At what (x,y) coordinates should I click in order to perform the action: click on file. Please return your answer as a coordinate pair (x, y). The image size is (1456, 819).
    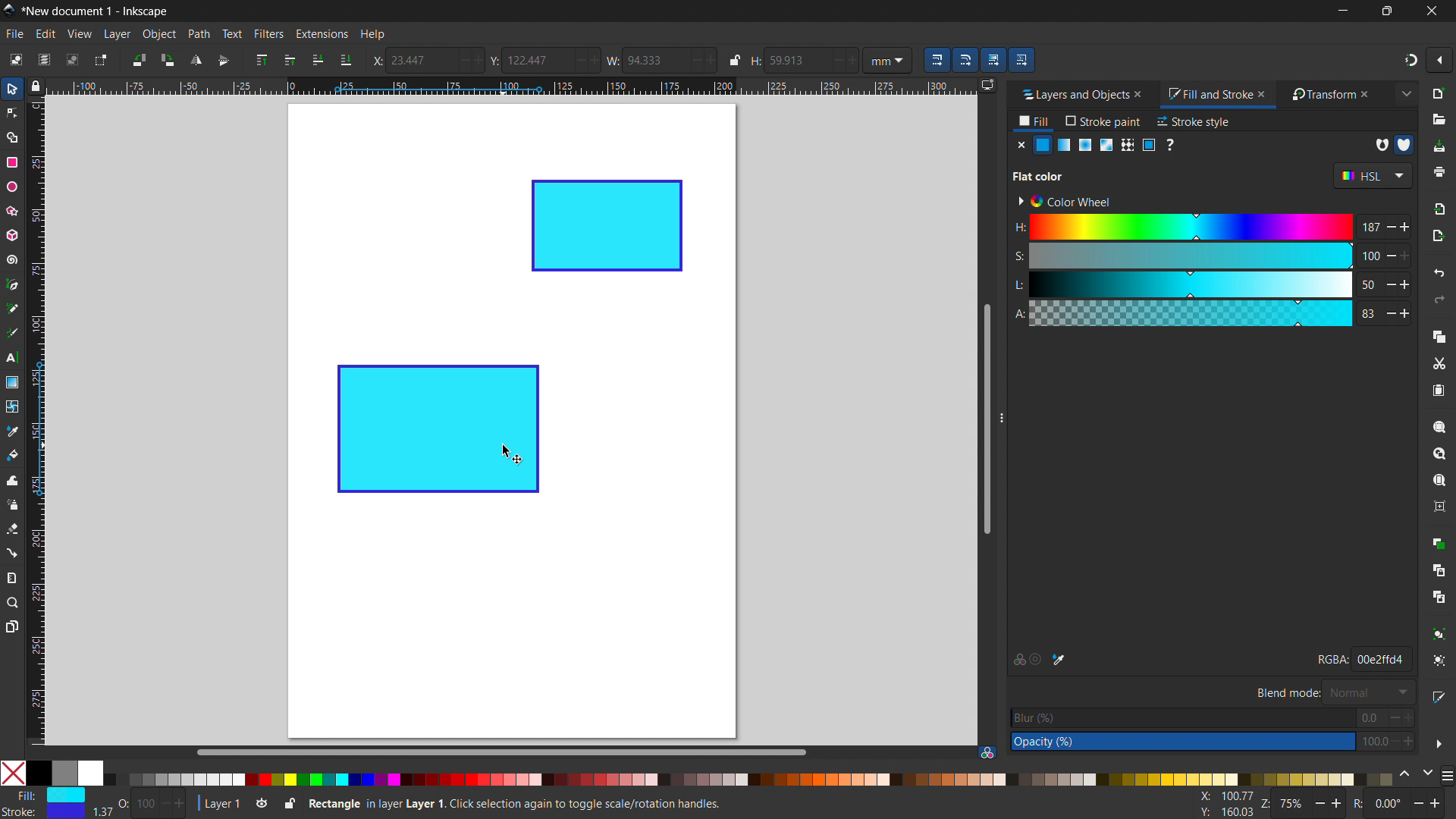
    Looking at the image, I should click on (15, 34).